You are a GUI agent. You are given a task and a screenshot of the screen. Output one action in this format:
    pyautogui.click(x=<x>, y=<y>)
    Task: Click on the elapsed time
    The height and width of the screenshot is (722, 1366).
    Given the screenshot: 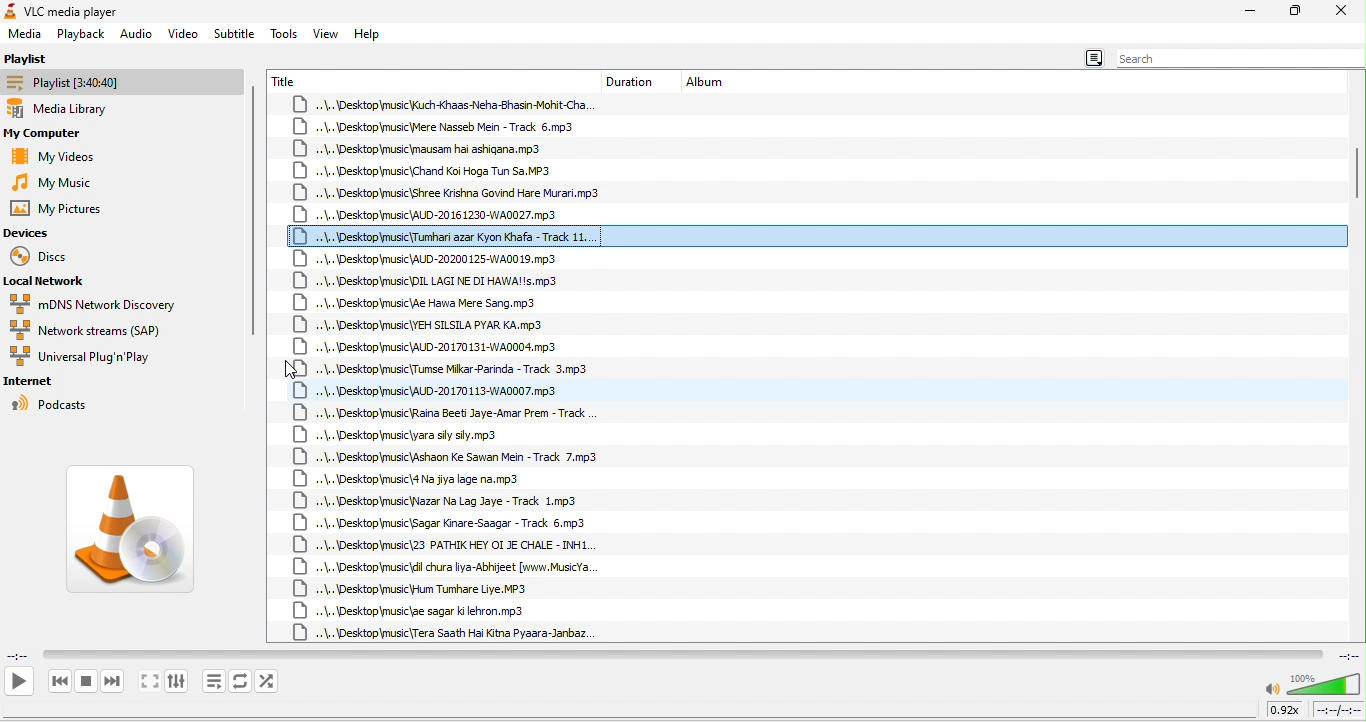 What is the action you would take?
    pyautogui.click(x=20, y=654)
    